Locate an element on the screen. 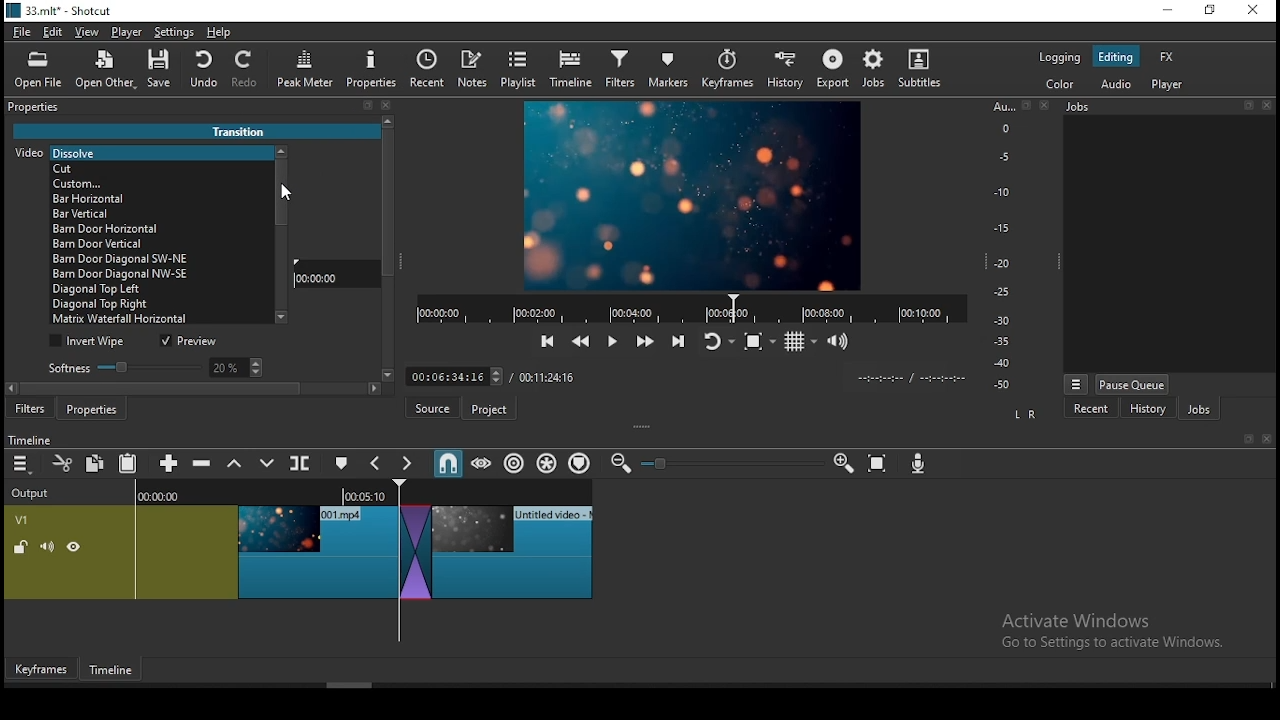 This screenshot has height=720, width=1280. toggle zoom is located at coordinates (759, 341).